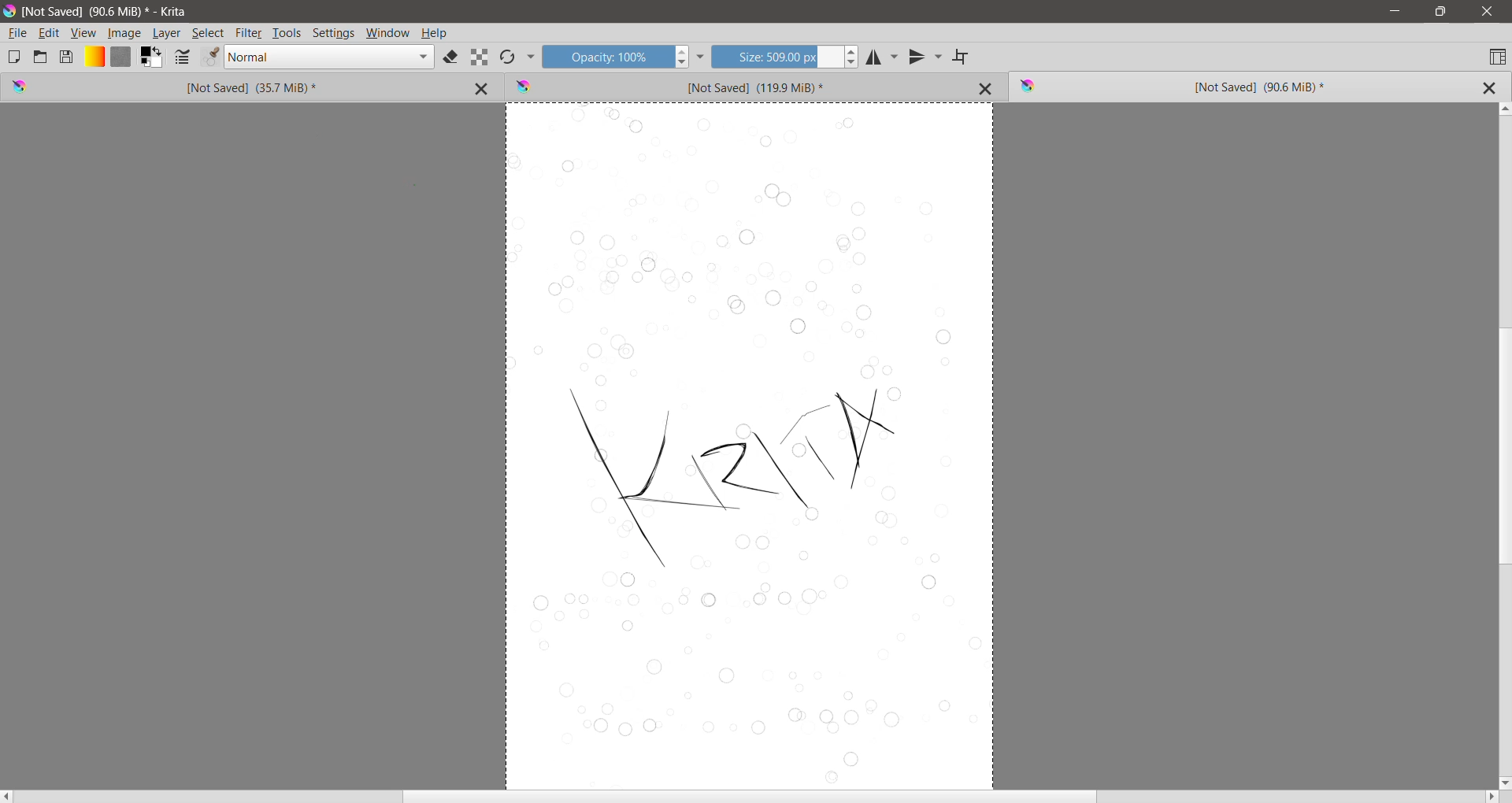 The image size is (1512, 803). Describe the element at coordinates (13, 57) in the screenshot. I see `Create New Document` at that location.